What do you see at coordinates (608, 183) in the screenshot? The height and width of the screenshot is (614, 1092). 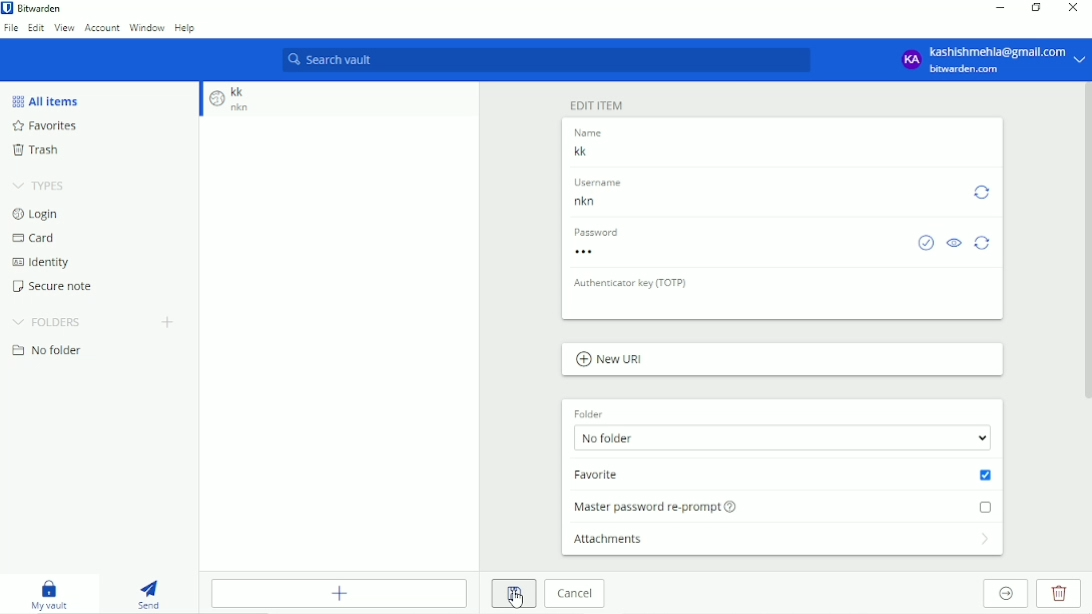 I see `username label` at bounding box center [608, 183].